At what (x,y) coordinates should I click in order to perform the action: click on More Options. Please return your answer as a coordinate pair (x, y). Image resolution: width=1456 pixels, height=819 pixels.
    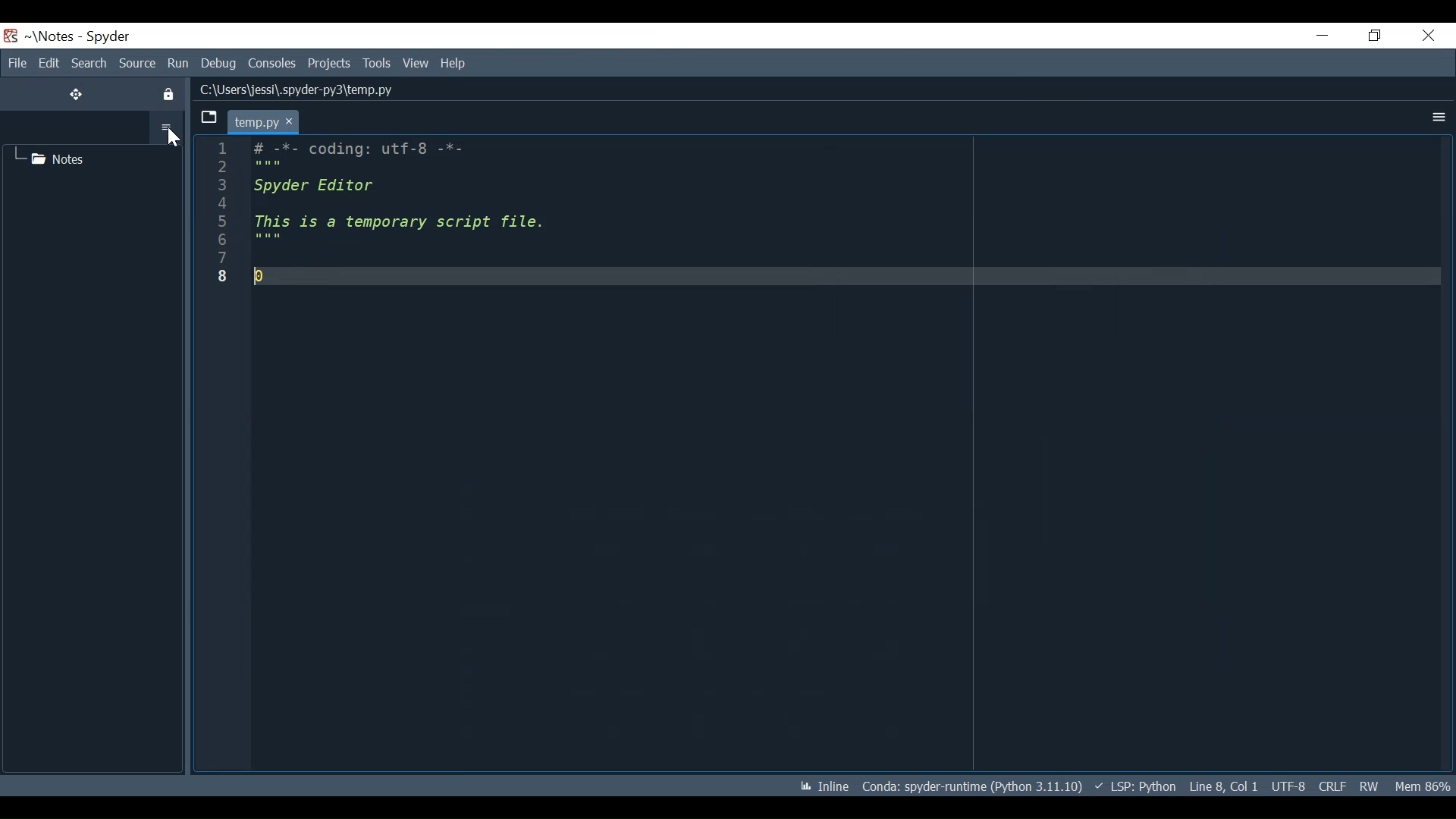
    Looking at the image, I should click on (1437, 118).